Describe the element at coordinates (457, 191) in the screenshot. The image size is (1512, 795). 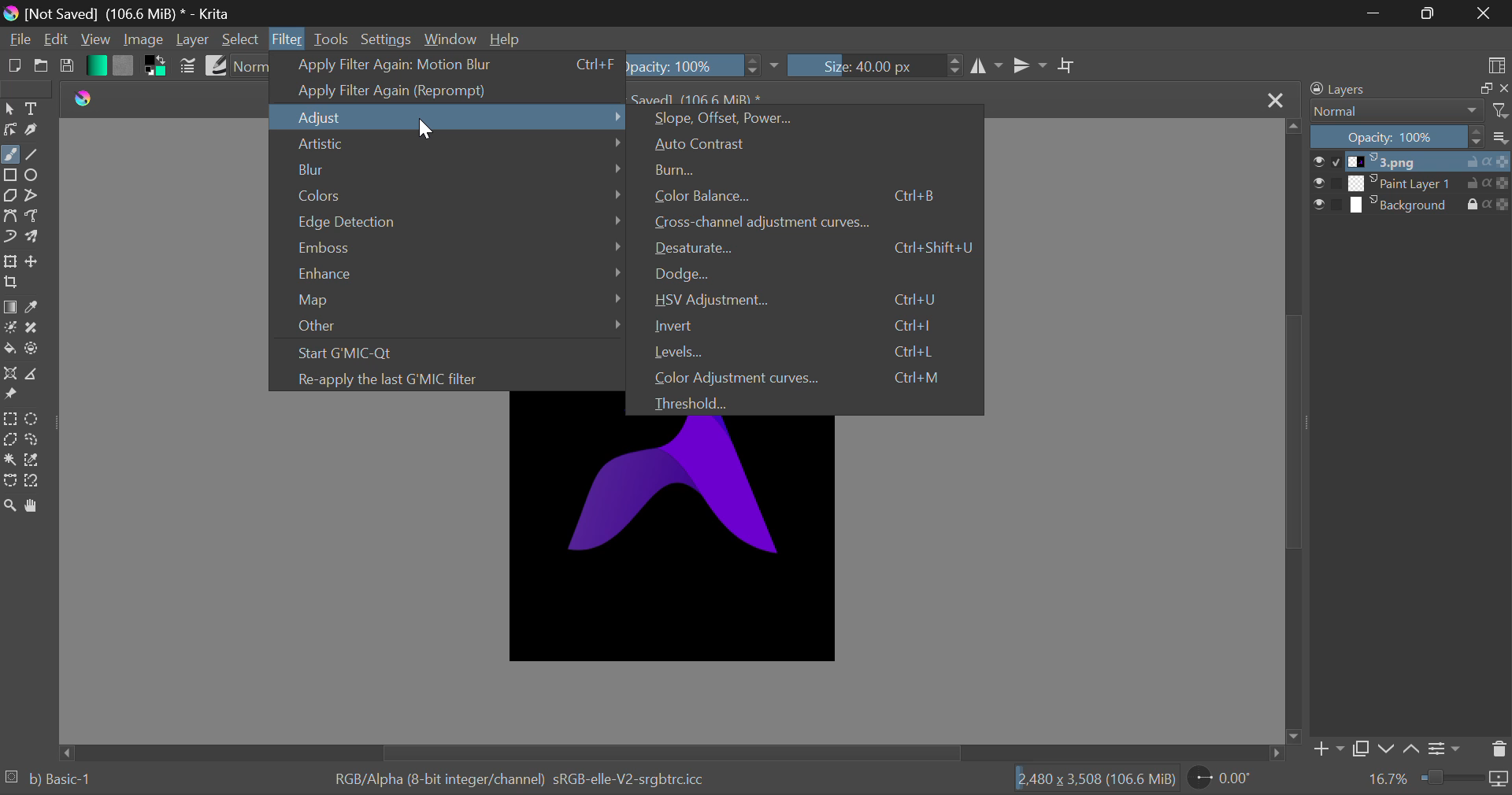
I see `Colors` at that location.